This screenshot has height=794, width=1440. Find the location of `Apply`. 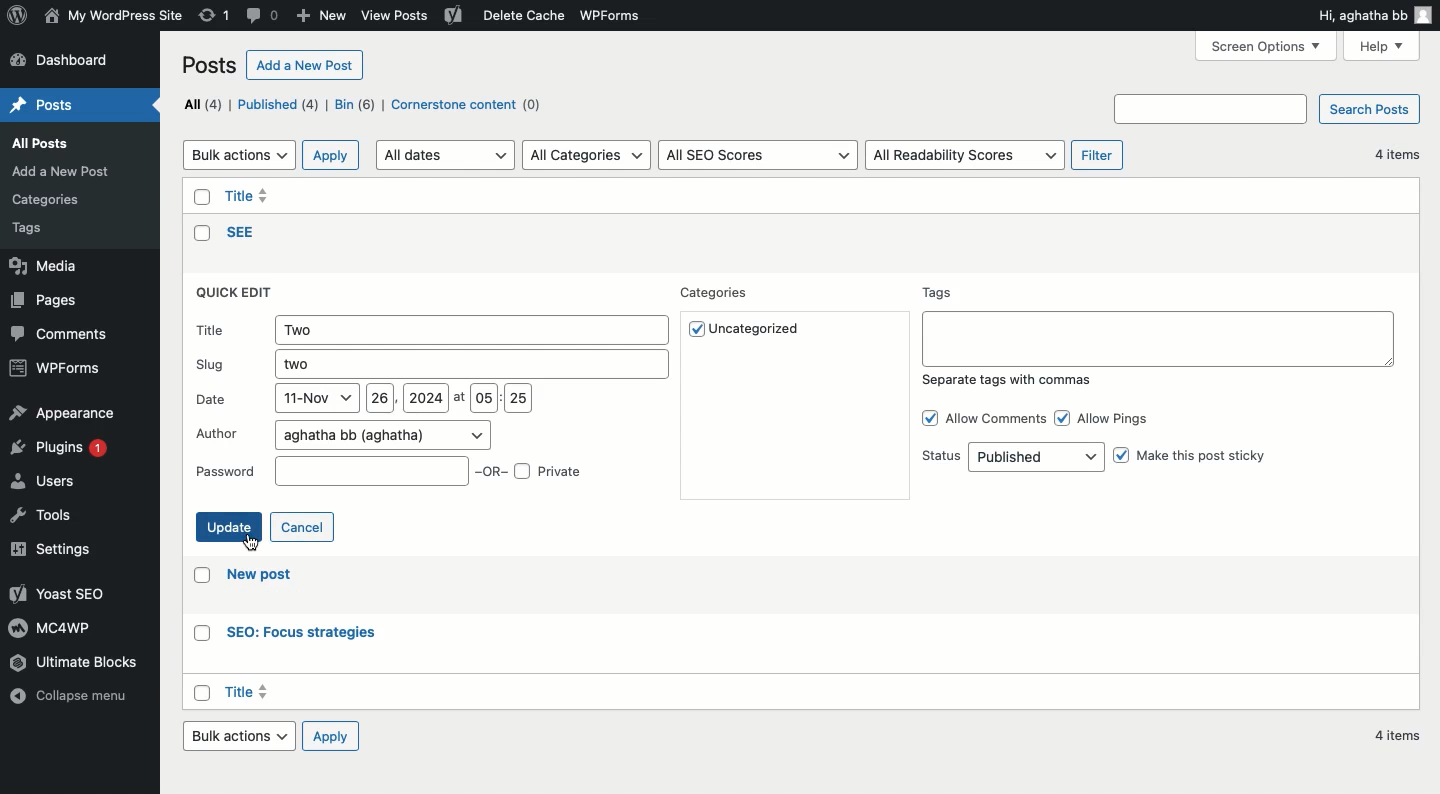

Apply is located at coordinates (338, 736).